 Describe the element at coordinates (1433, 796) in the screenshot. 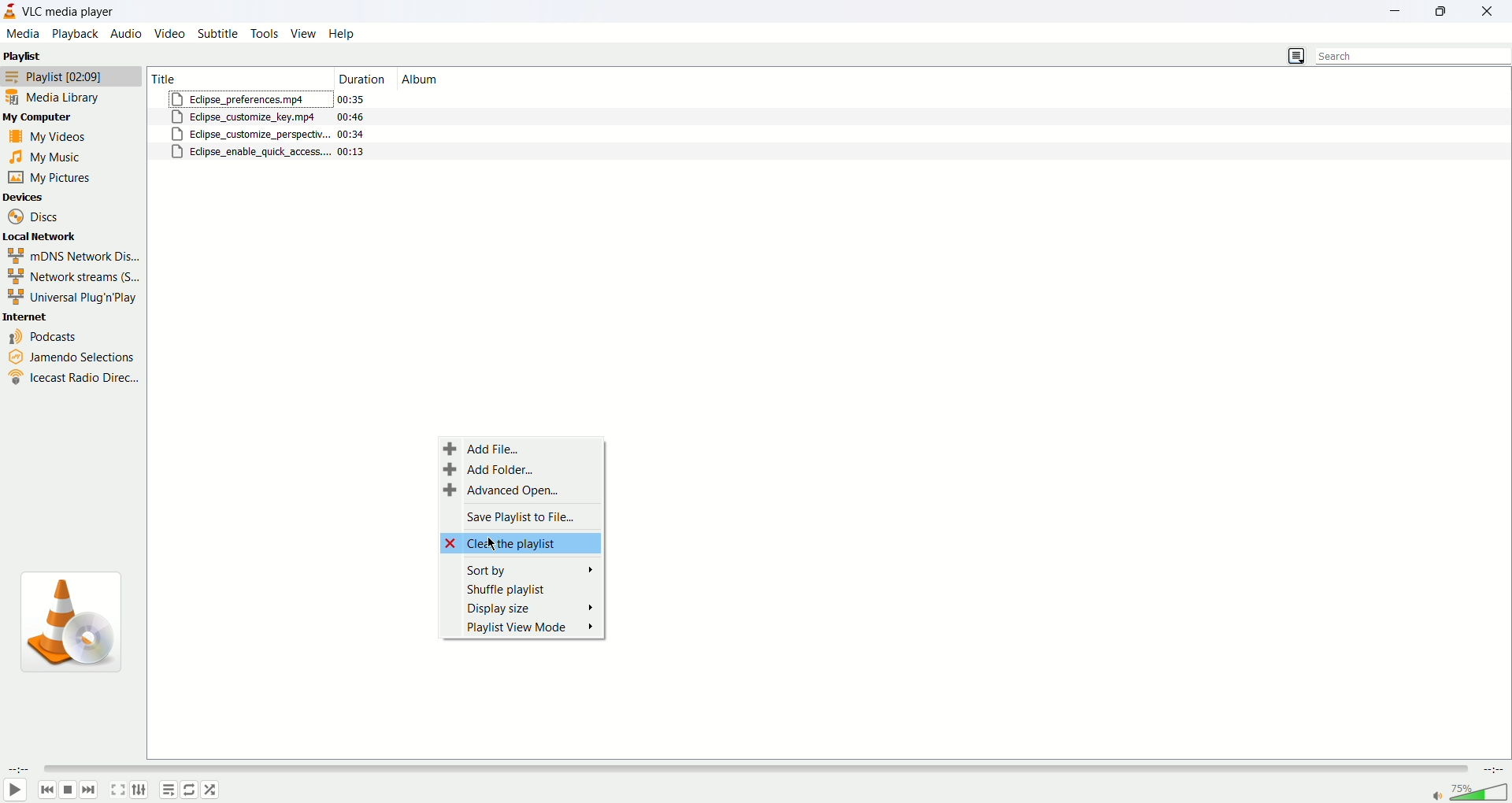

I see `mute/unmute` at that location.